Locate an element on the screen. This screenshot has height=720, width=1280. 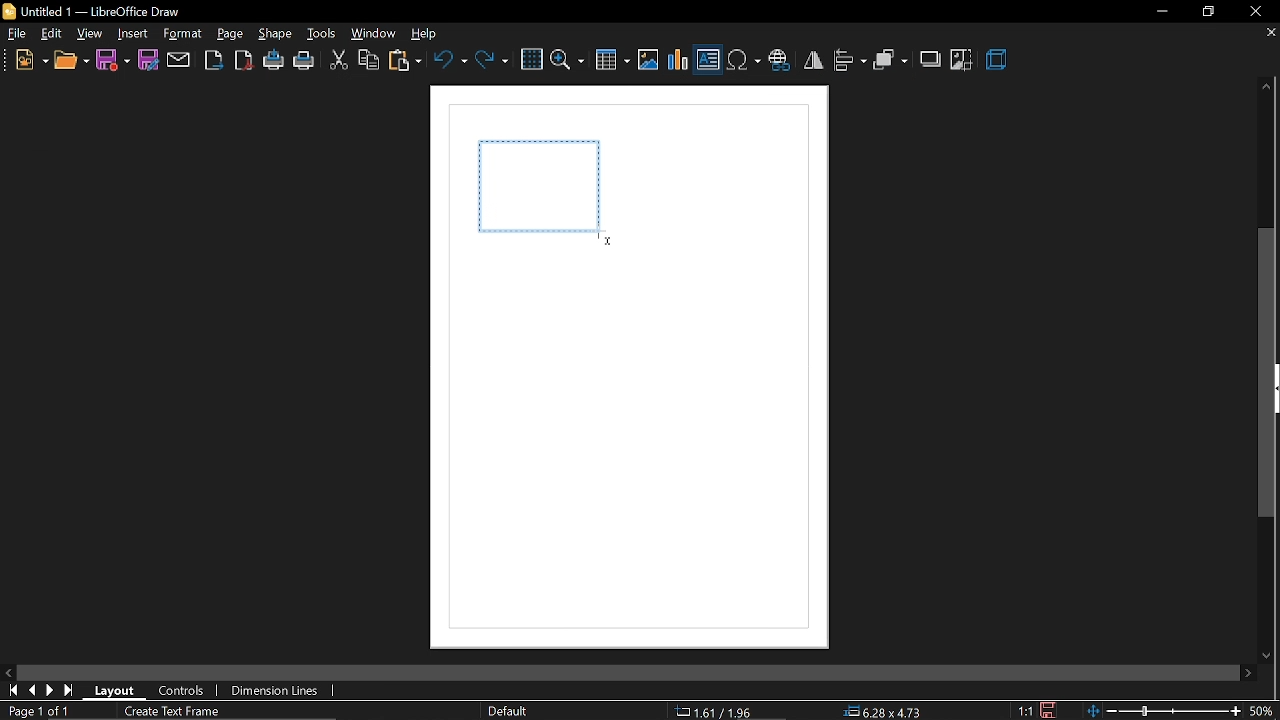
export is located at coordinates (213, 60).